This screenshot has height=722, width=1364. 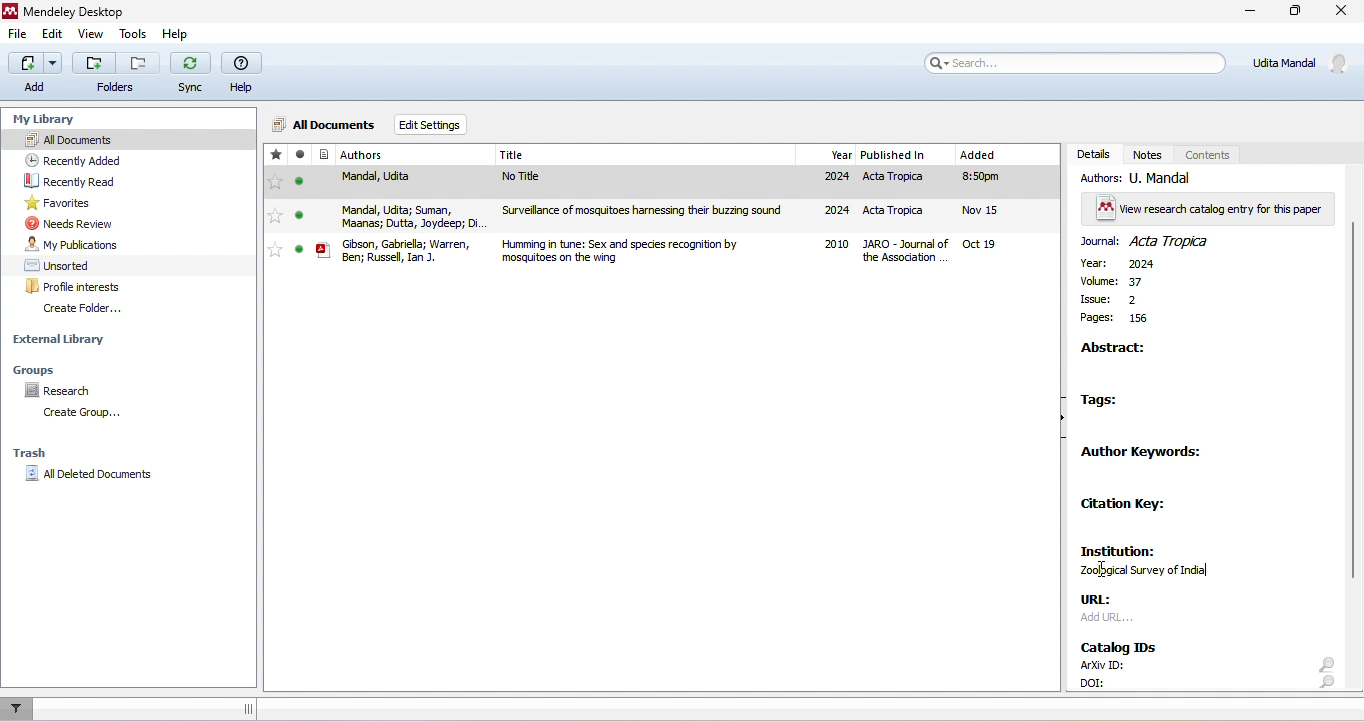 I want to click on published in, so click(x=908, y=155).